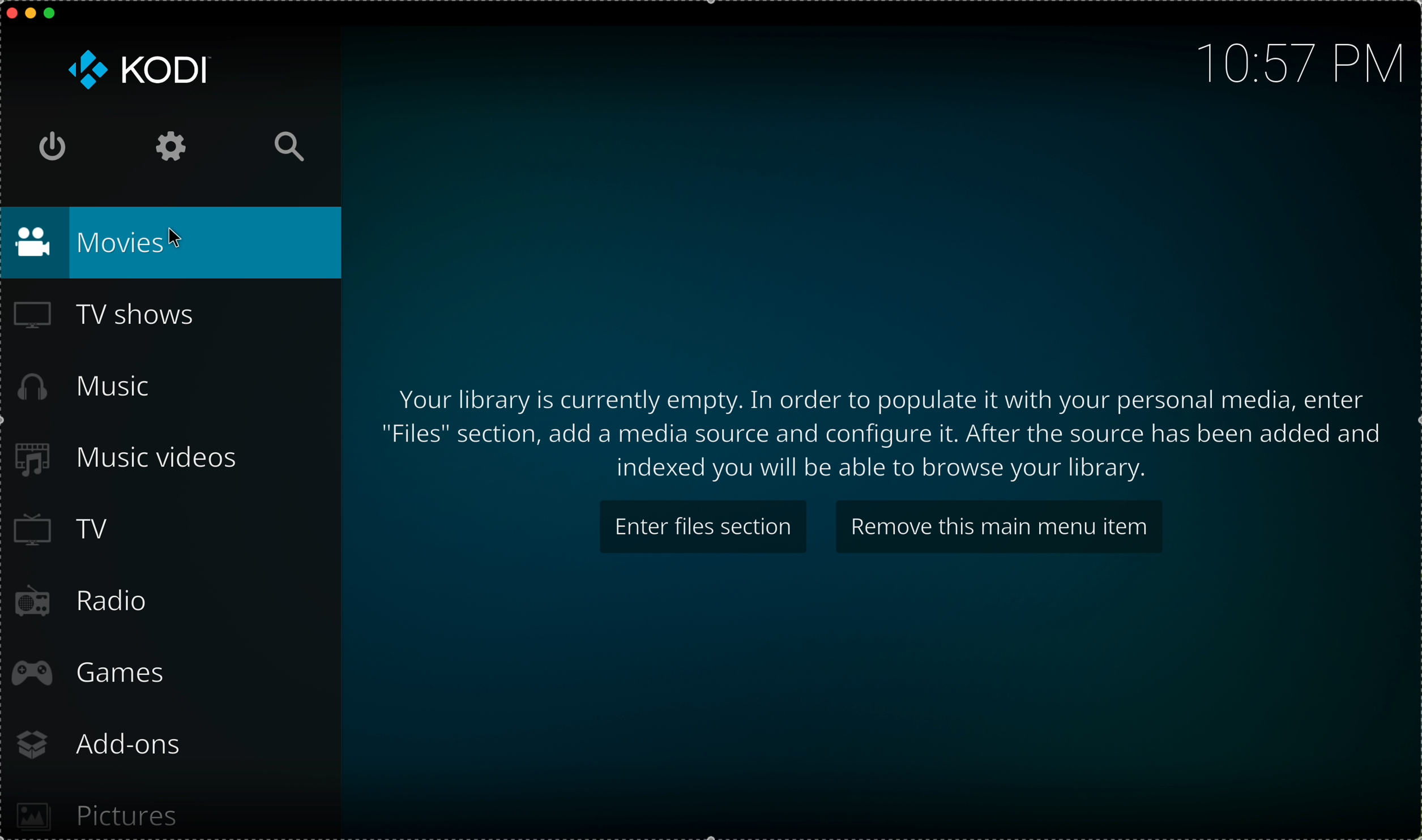 This screenshot has width=1422, height=840. I want to click on search, so click(288, 147).